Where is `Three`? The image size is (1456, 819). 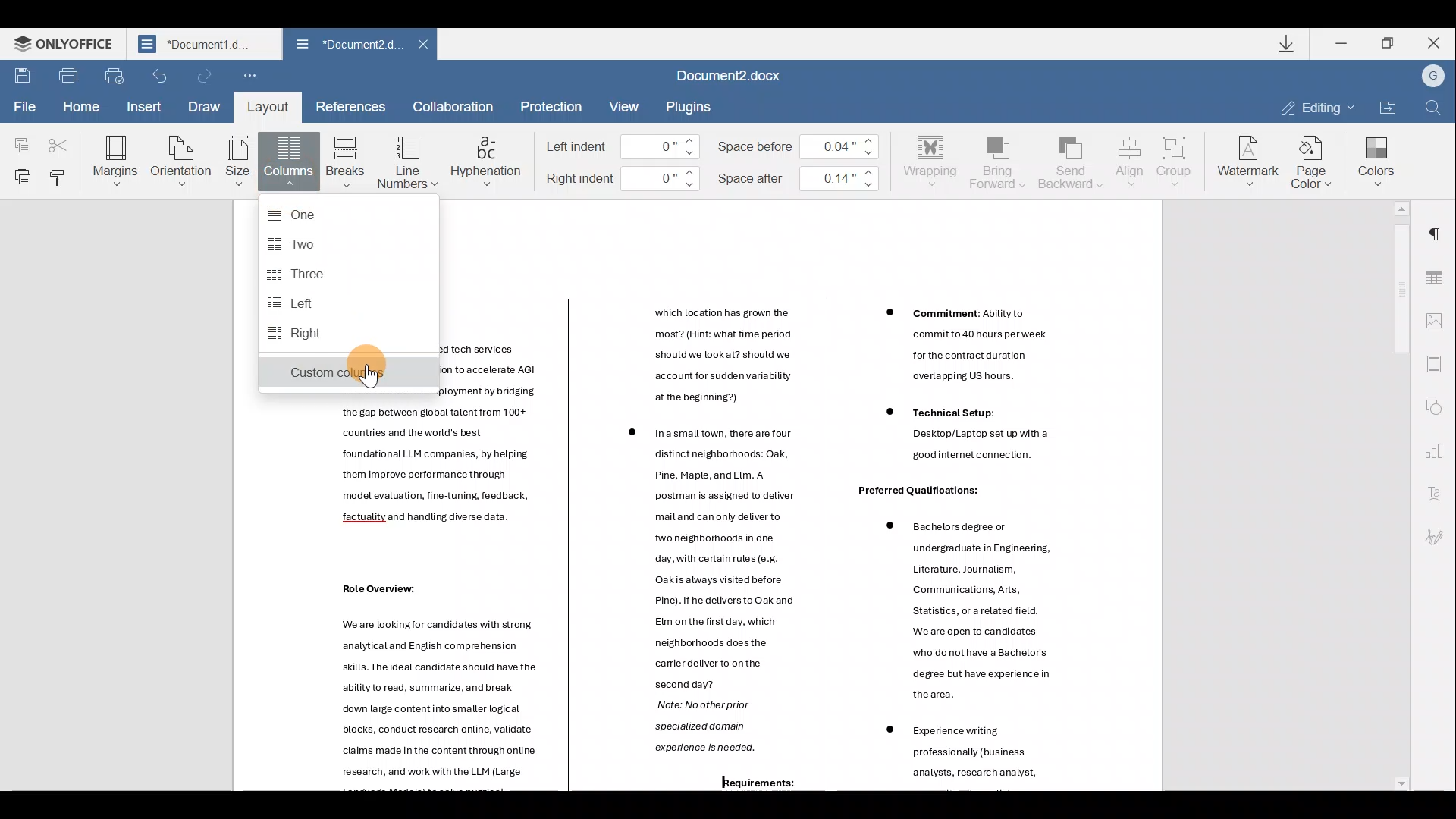 Three is located at coordinates (306, 273).